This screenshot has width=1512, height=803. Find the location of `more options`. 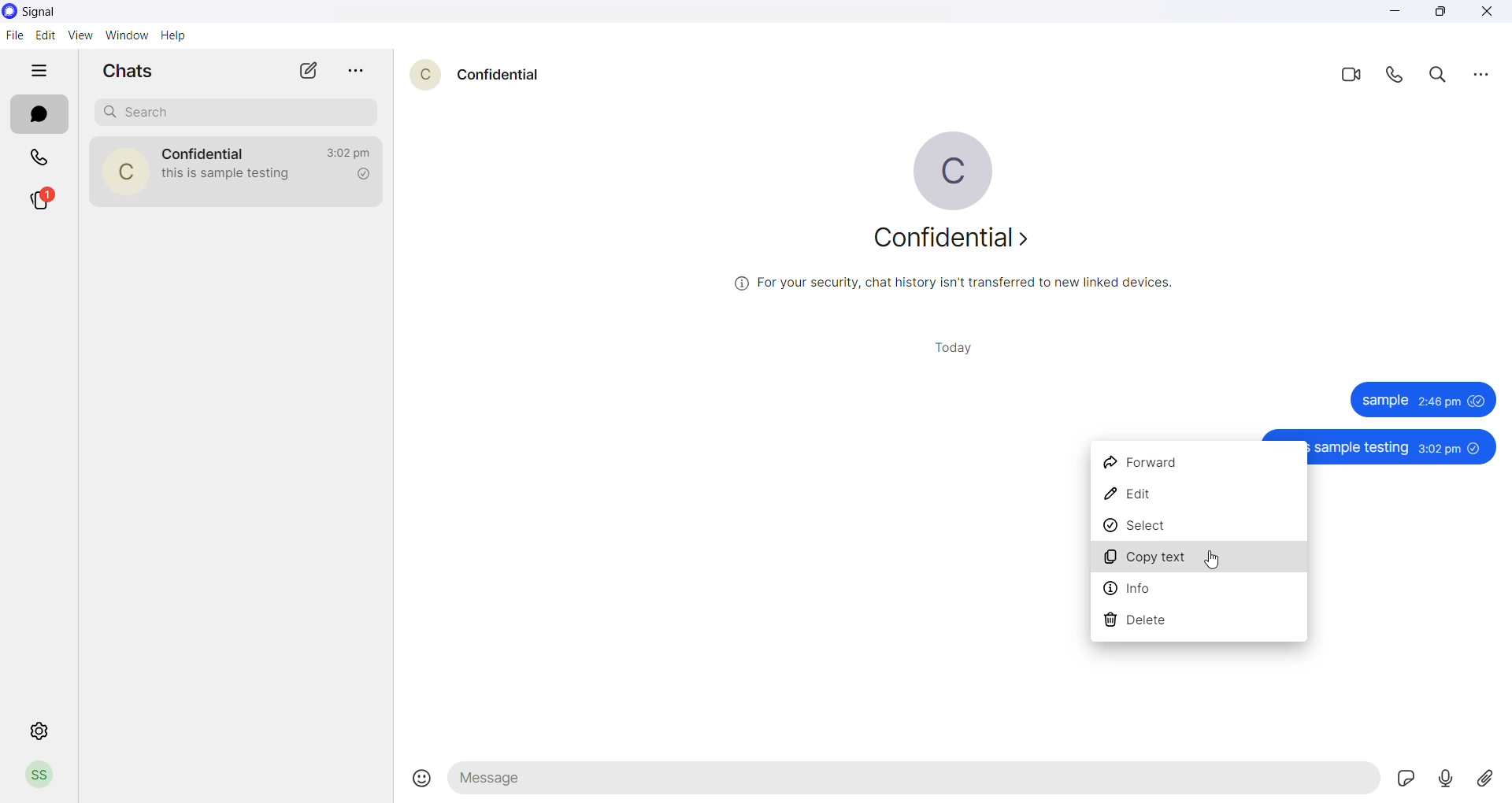

more options is located at coordinates (1484, 78).